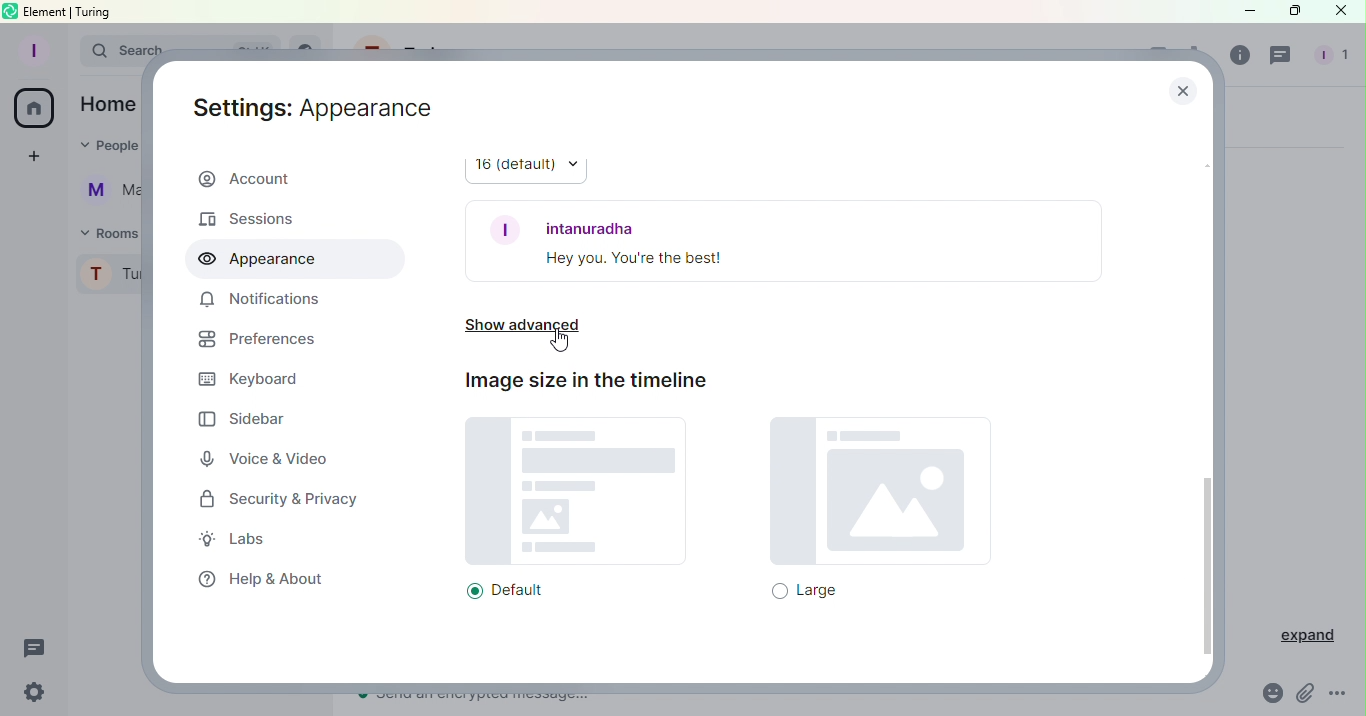  Describe the element at coordinates (1306, 695) in the screenshot. I see `Attachment` at that location.